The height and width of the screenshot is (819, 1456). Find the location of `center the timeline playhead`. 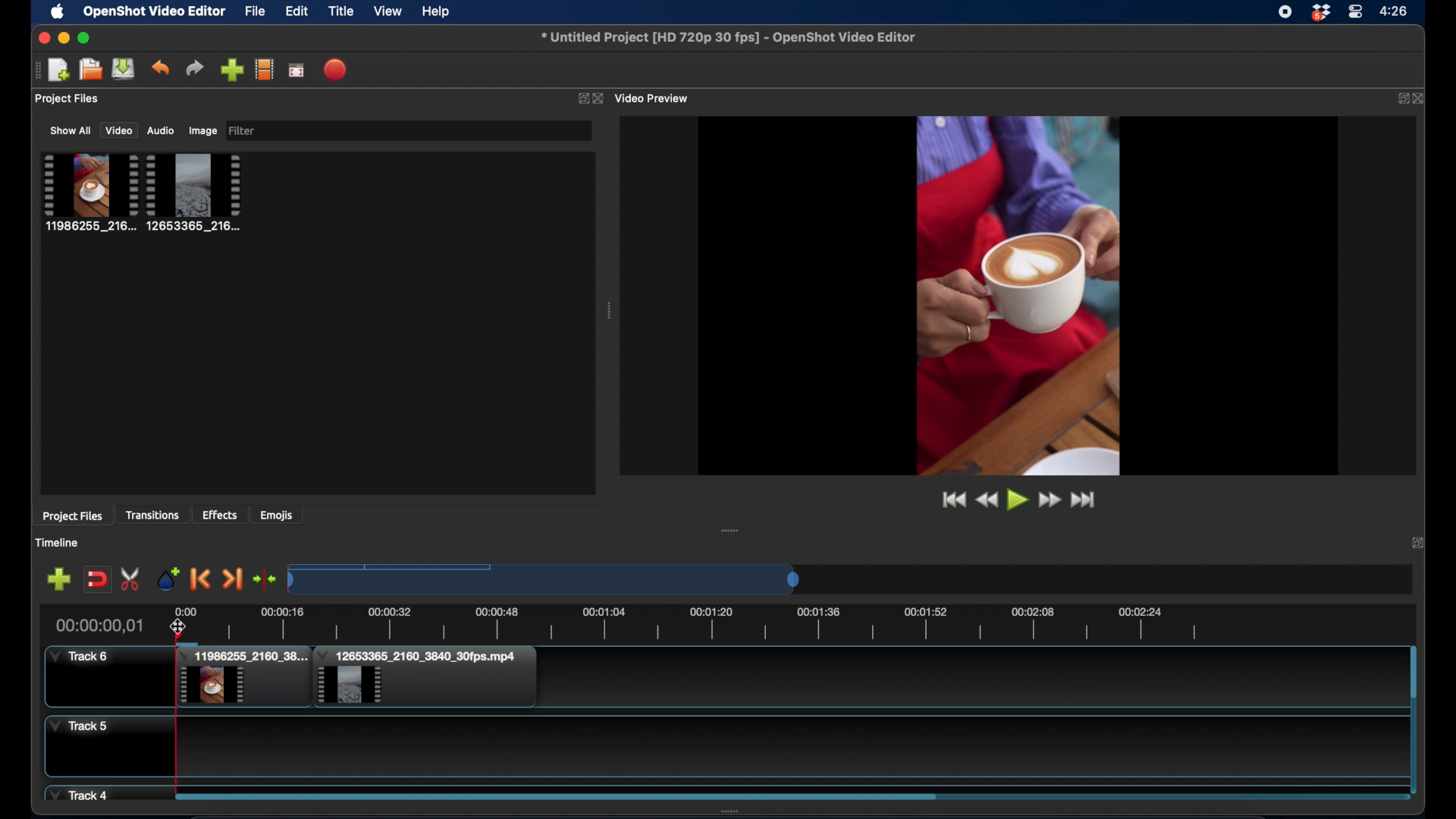

center the timeline playhead is located at coordinates (265, 580).